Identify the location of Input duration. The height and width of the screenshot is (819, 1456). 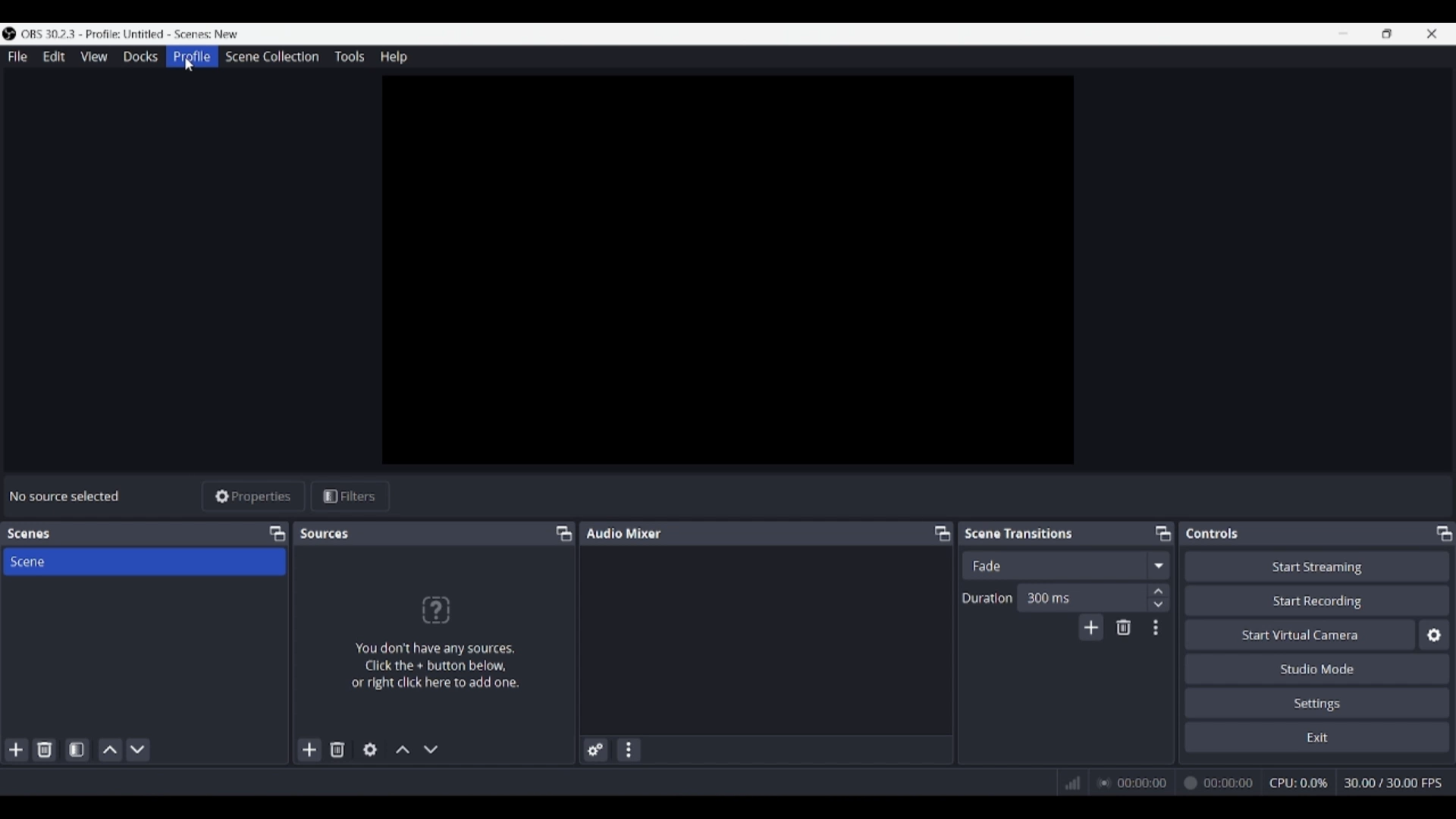
(1081, 597).